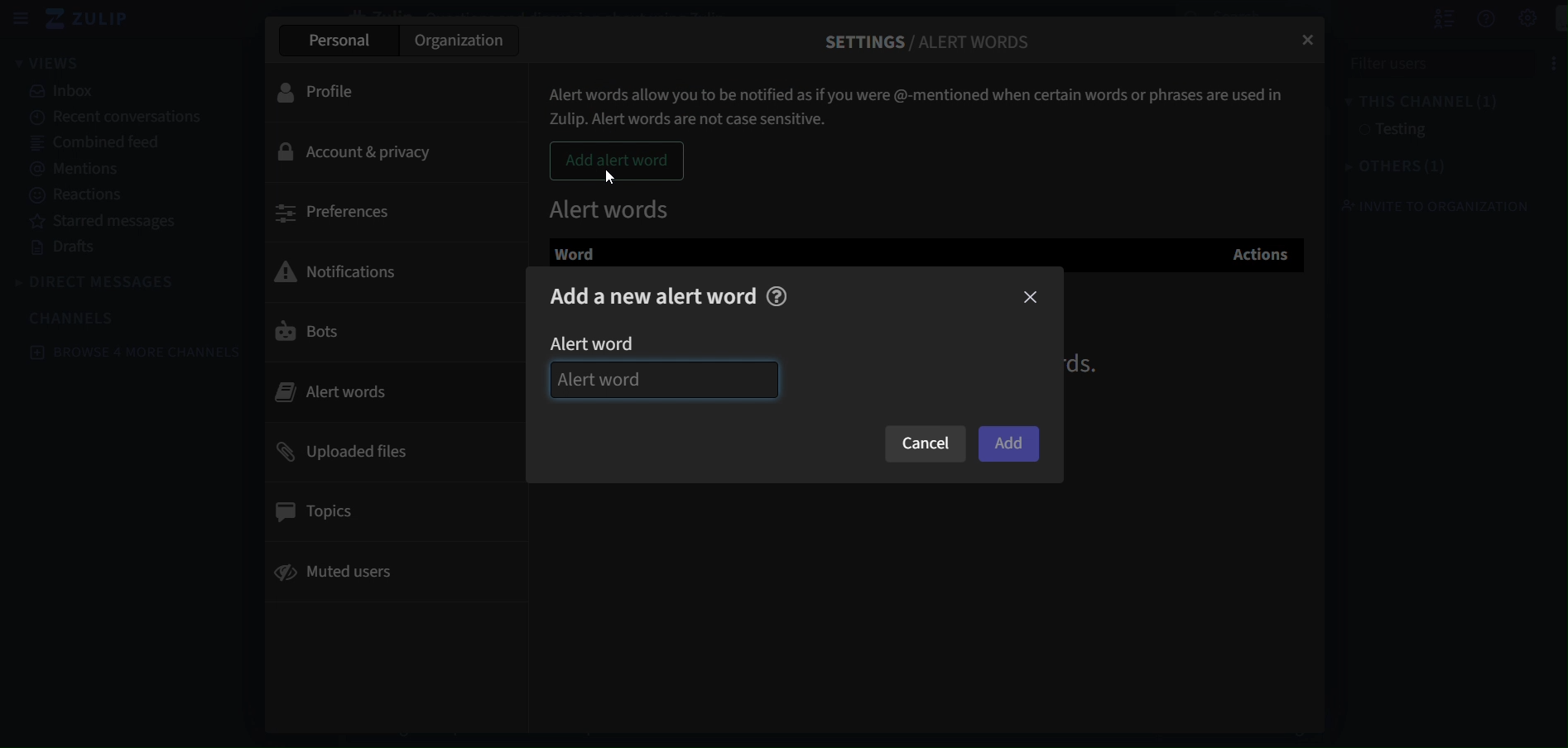  I want to click on hide user list, so click(1426, 18).